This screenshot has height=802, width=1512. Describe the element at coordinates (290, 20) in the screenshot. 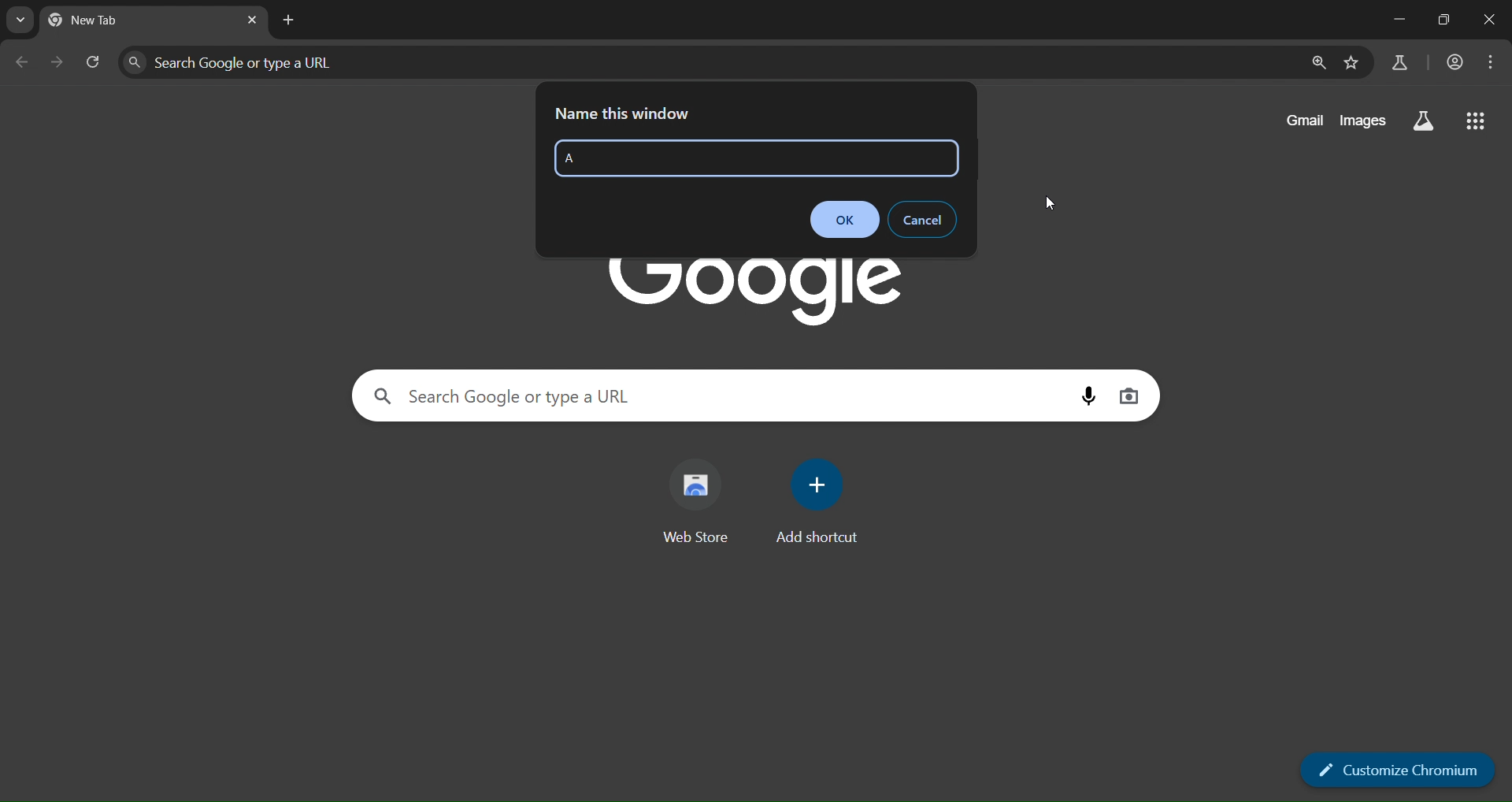

I see `new tab` at that location.